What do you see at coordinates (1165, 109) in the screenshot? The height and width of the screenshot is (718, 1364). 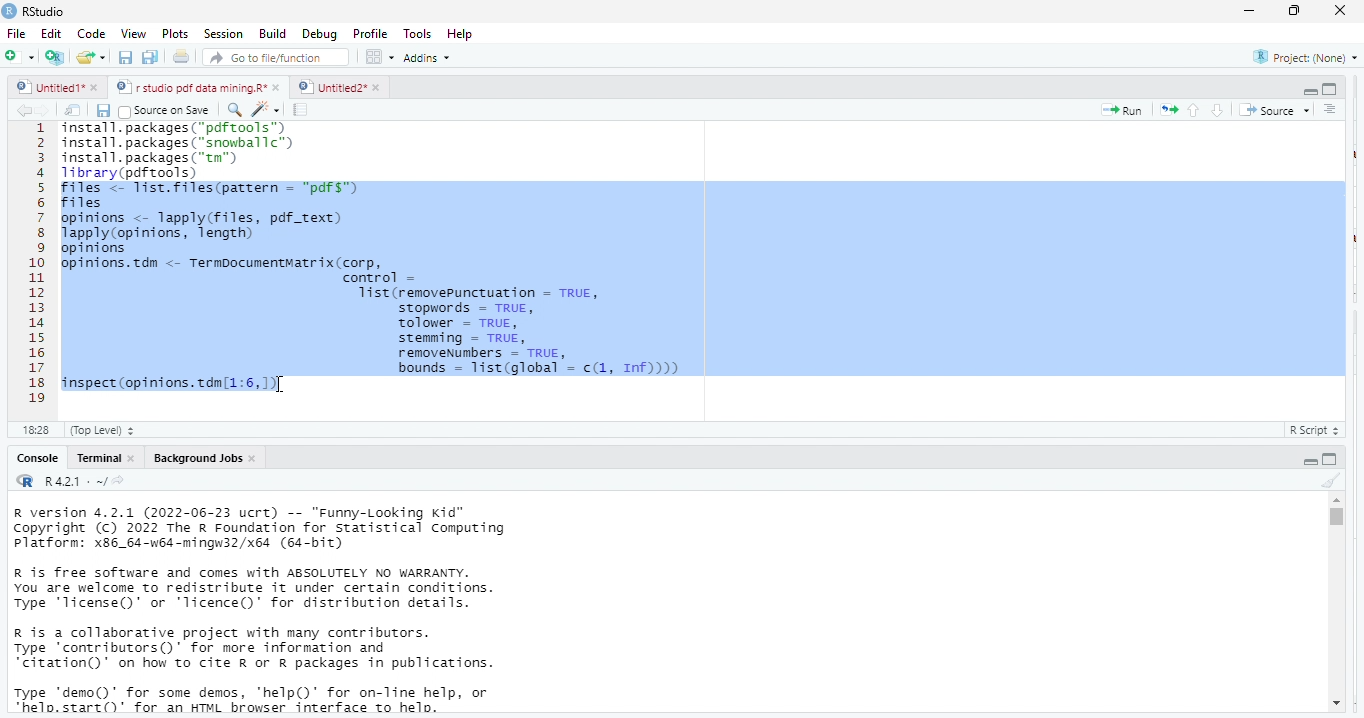 I see `re run the previous code region` at bounding box center [1165, 109].